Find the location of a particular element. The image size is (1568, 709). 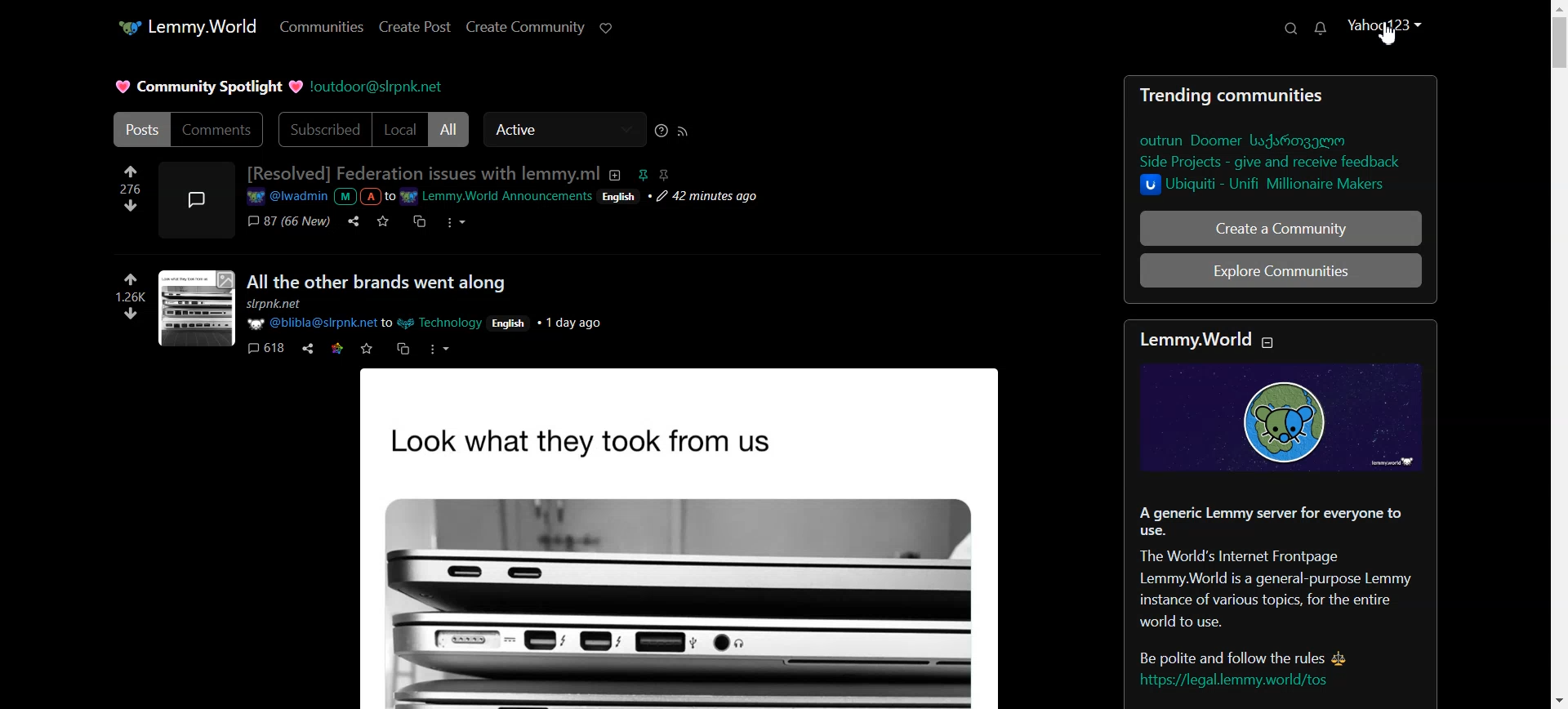

Profile is located at coordinates (1384, 32).